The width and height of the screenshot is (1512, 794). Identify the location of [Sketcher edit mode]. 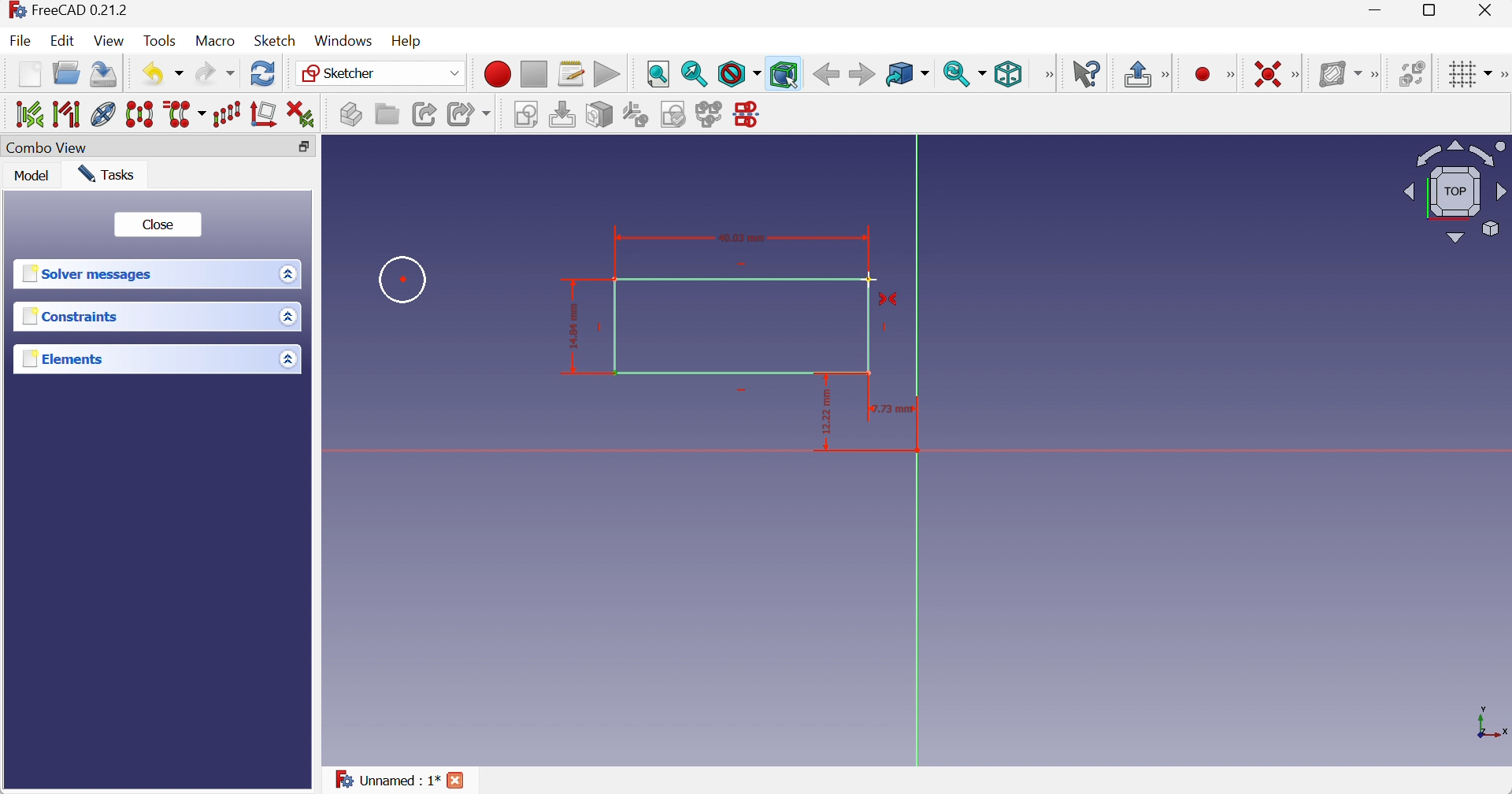
(1168, 76).